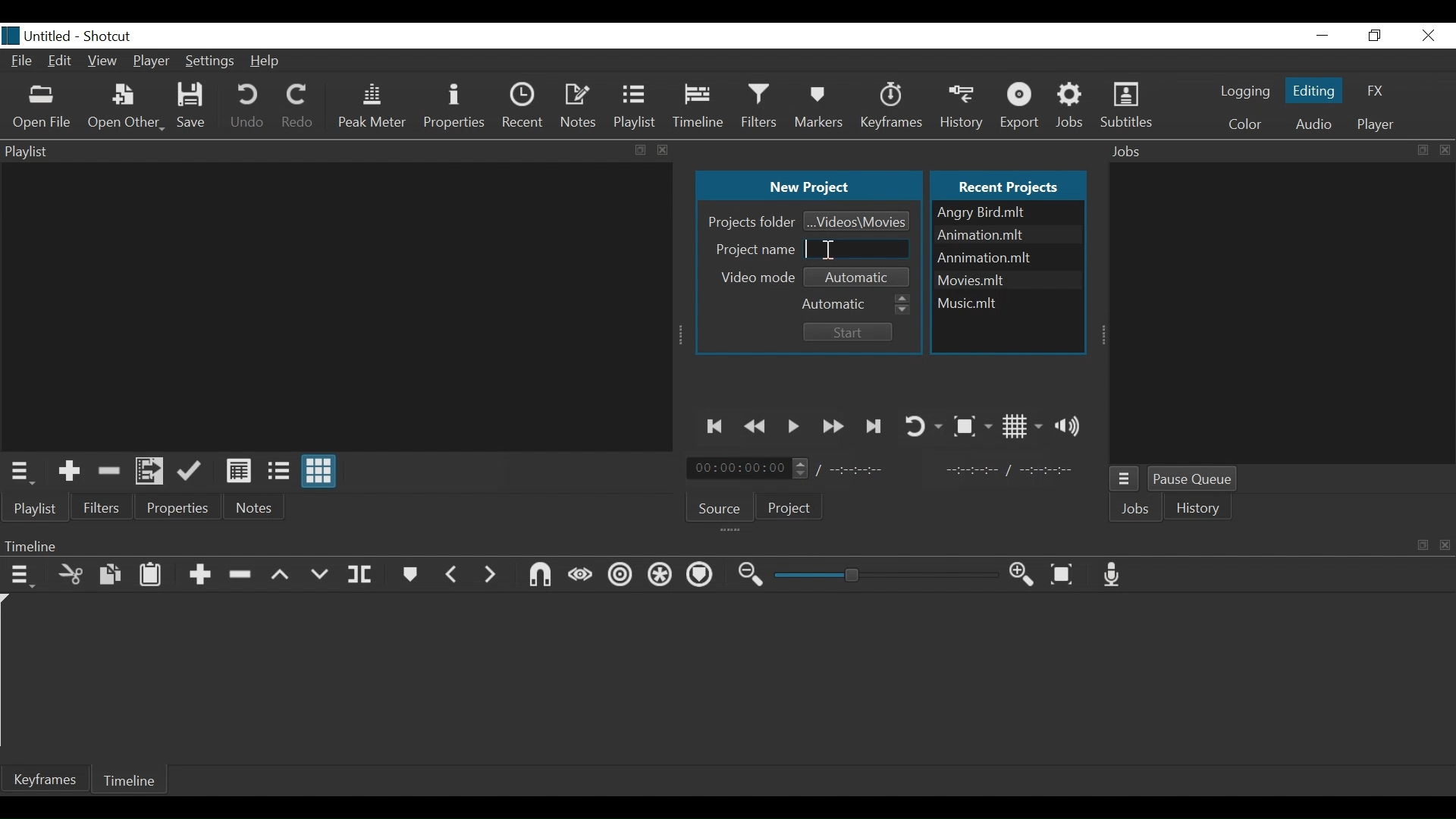  What do you see at coordinates (71, 573) in the screenshot?
I see `Cut` at bounding box center [71, 573].